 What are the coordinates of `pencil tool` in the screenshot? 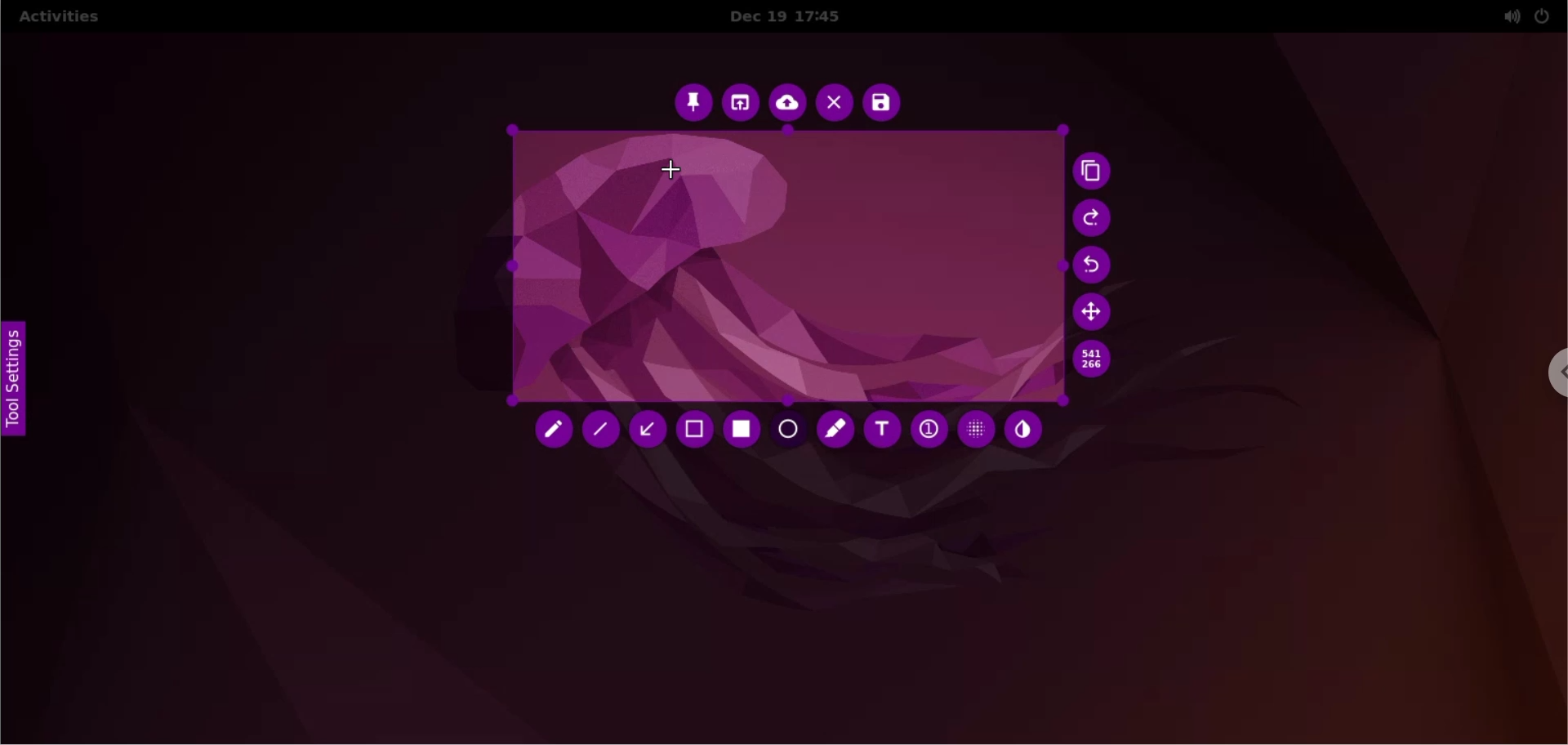 It's located at (555, 433).